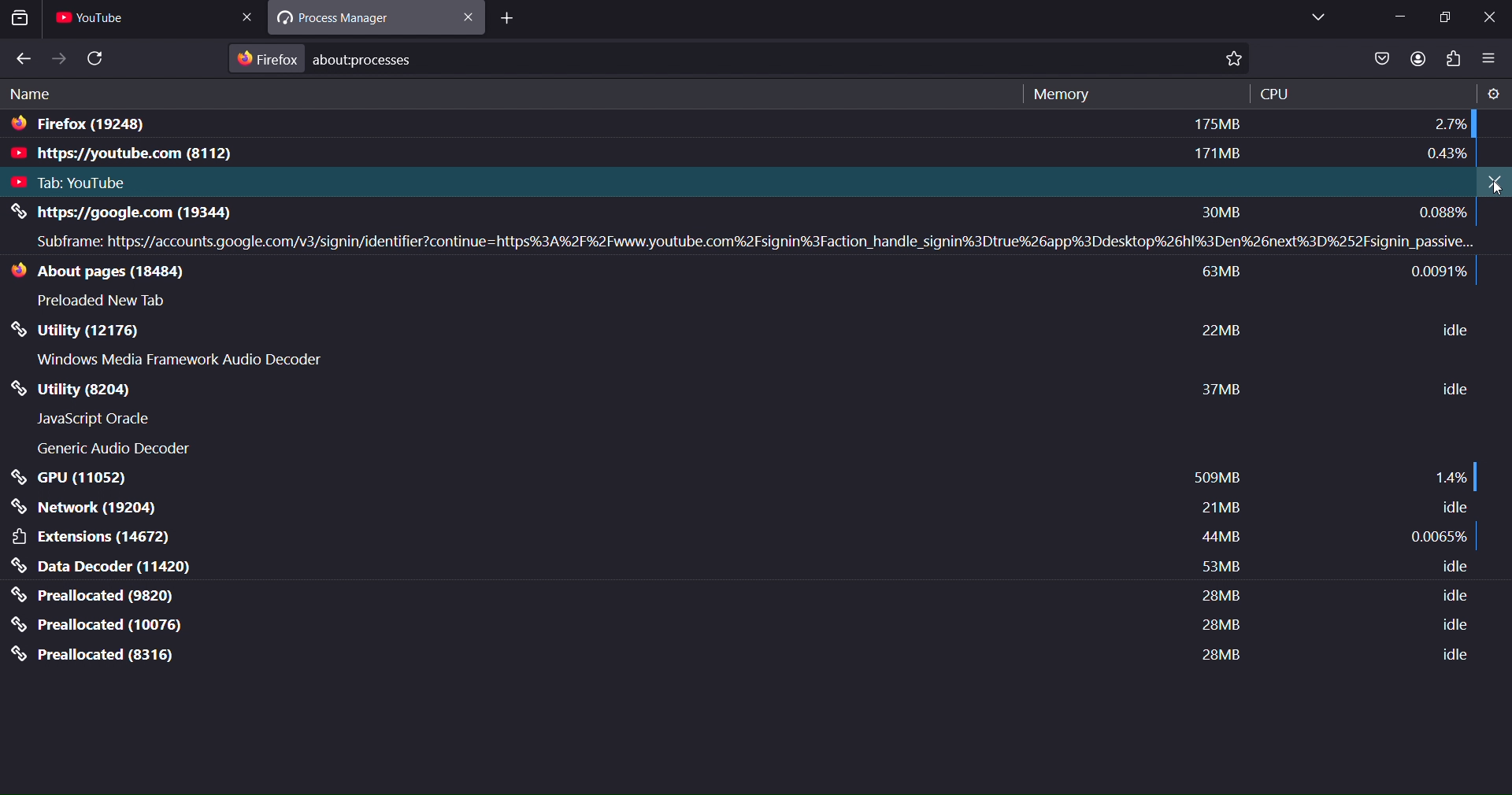 Image resolution: width=1512 pixels, height=795 pixels. Describe the element at coordinates (1448, 627) in the screenshot. I see `idle` at that location.